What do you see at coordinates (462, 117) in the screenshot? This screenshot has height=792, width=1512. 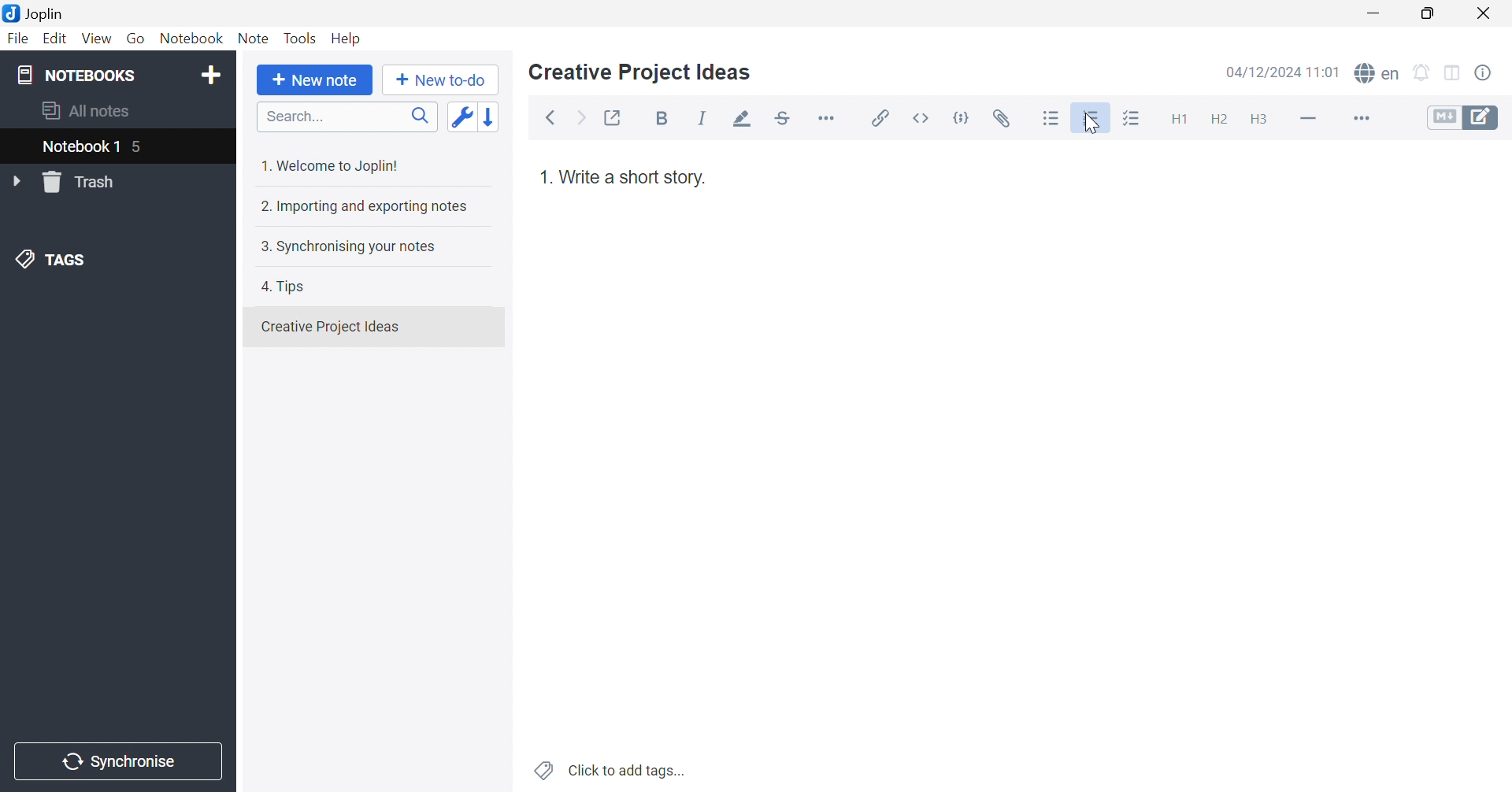 I see `Toggle sort order field` at bounding box center [462, 117].